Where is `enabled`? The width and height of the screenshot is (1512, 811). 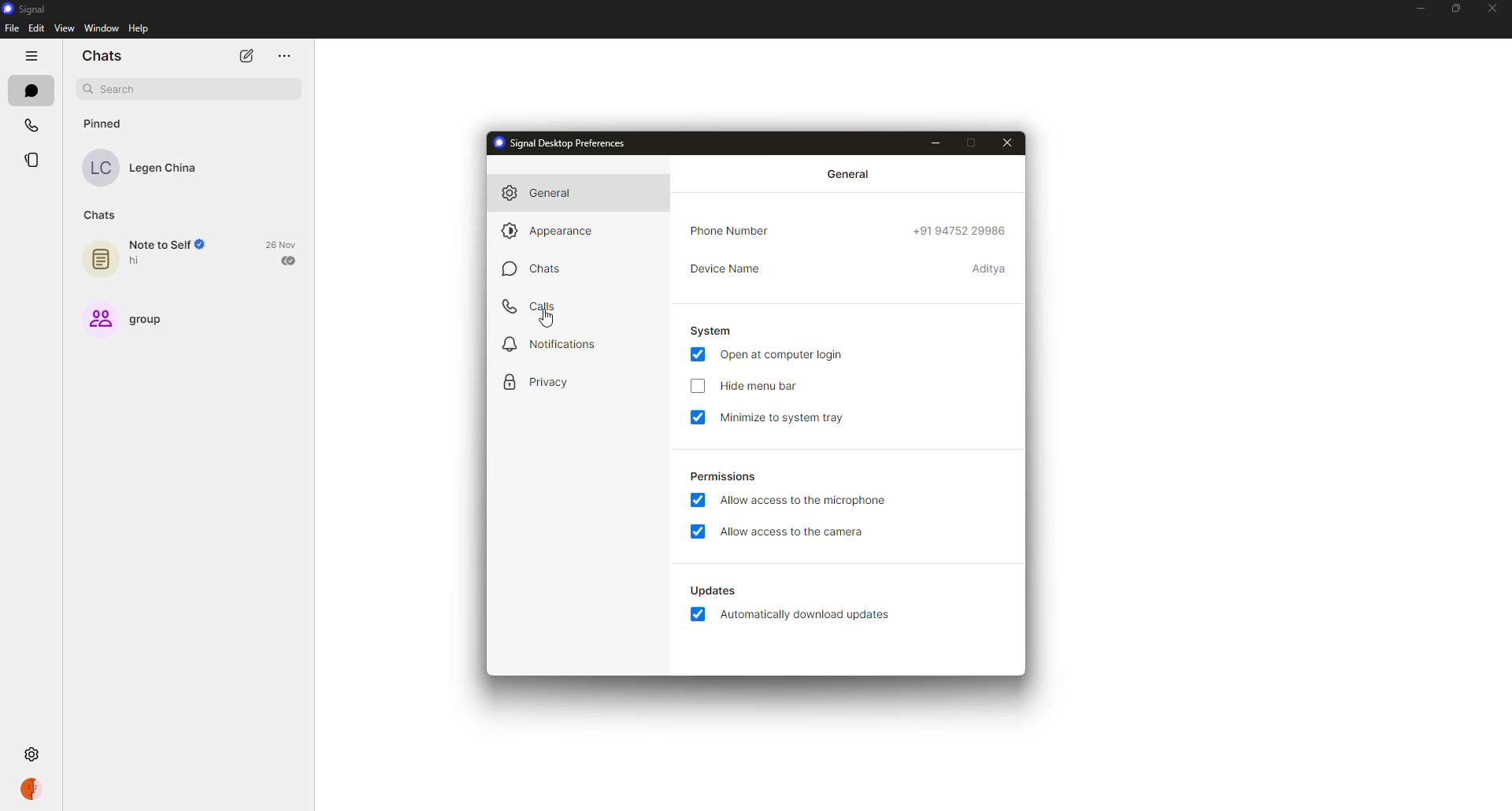 enabled is located at coordinates (701, 532).